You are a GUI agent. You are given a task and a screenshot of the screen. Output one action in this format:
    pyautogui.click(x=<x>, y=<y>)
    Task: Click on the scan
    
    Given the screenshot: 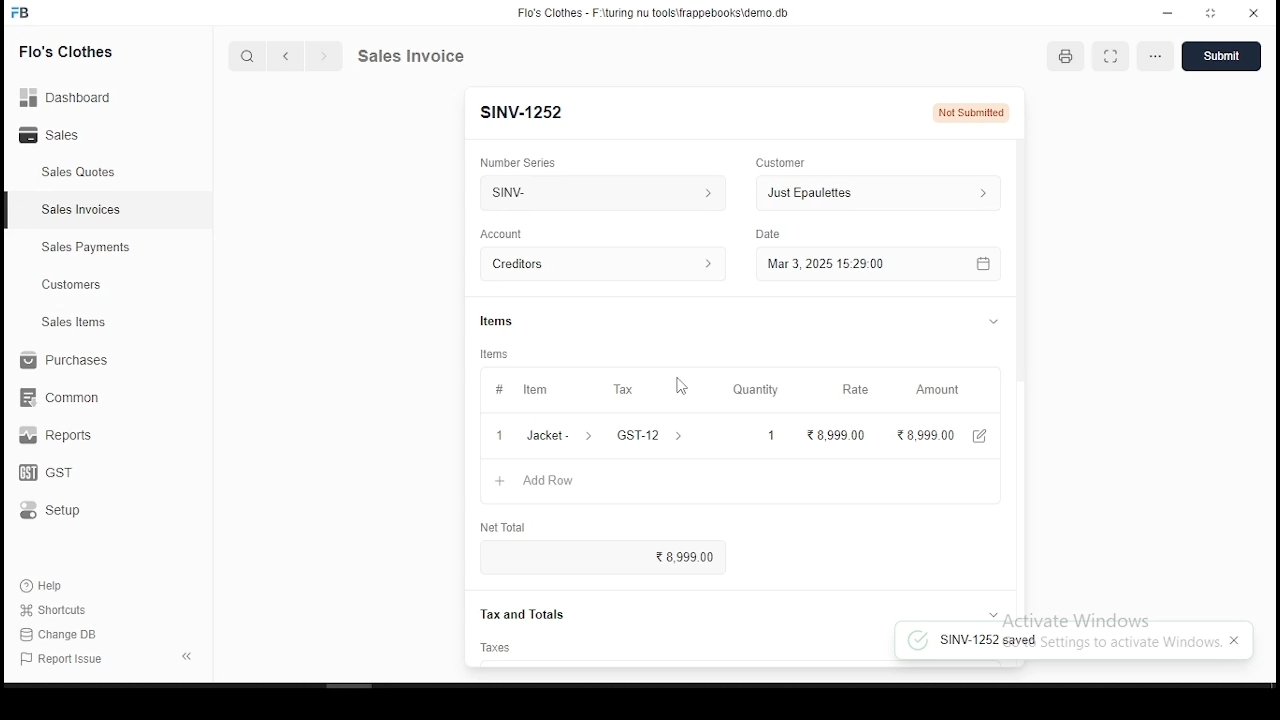 What is the action you would take?
    pyautogui.click(x=1160, y=56)
    